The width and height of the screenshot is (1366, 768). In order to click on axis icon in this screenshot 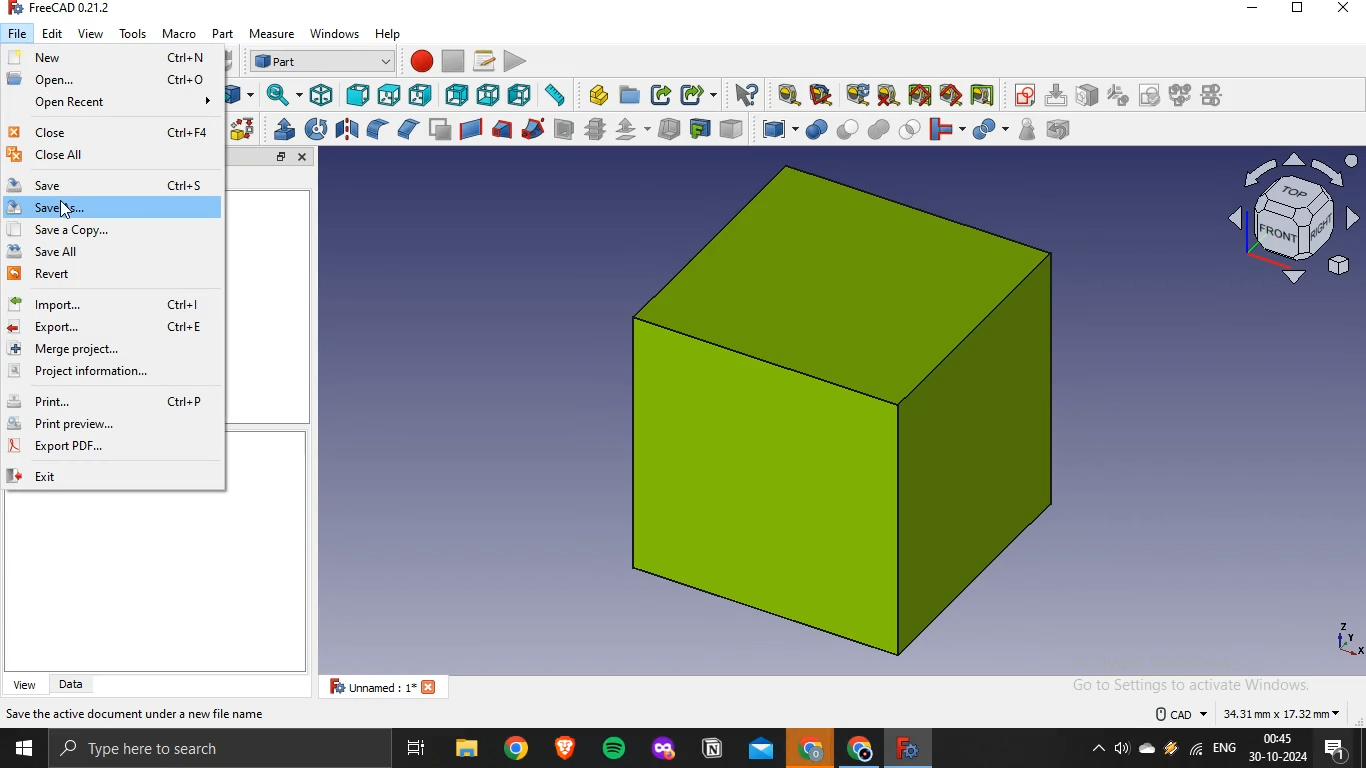, I will do `click(1293, 219)`.